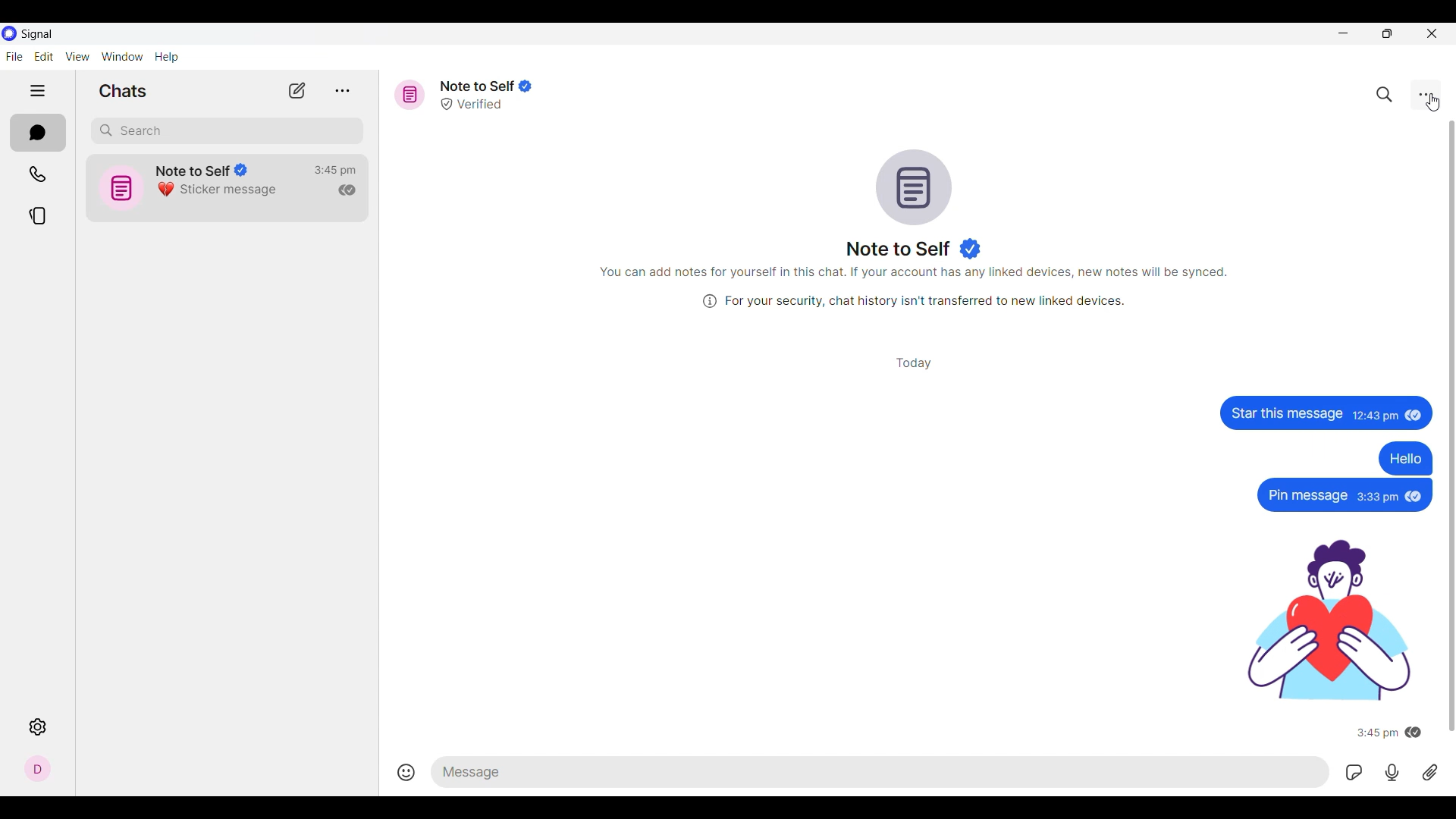 The width and height of the screenshot is (1456, 819). Describe the element at coordinates (202, 168) in the screenshot. I see `Note to Self ` at that location.